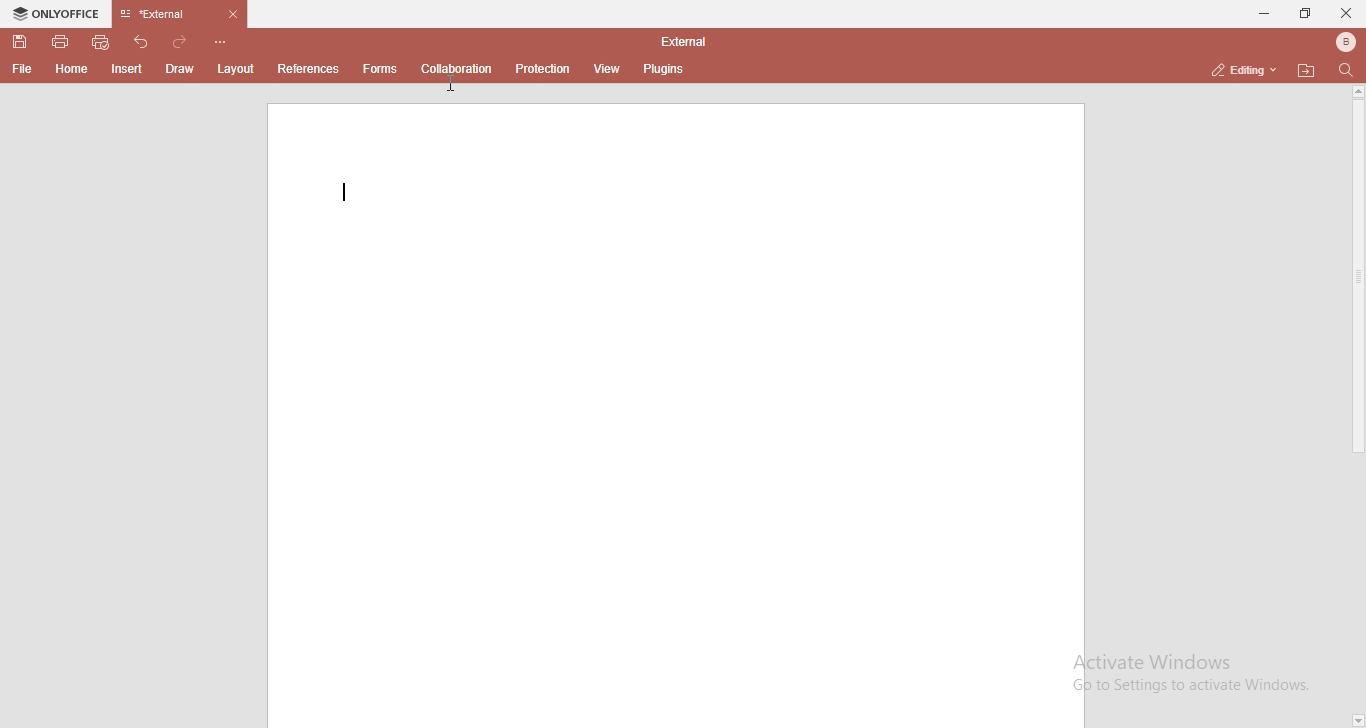 This screenshot has width=1366, height=728. Describe the element at coordinates (72, 70) in the screenshot. I see `home` at that location.